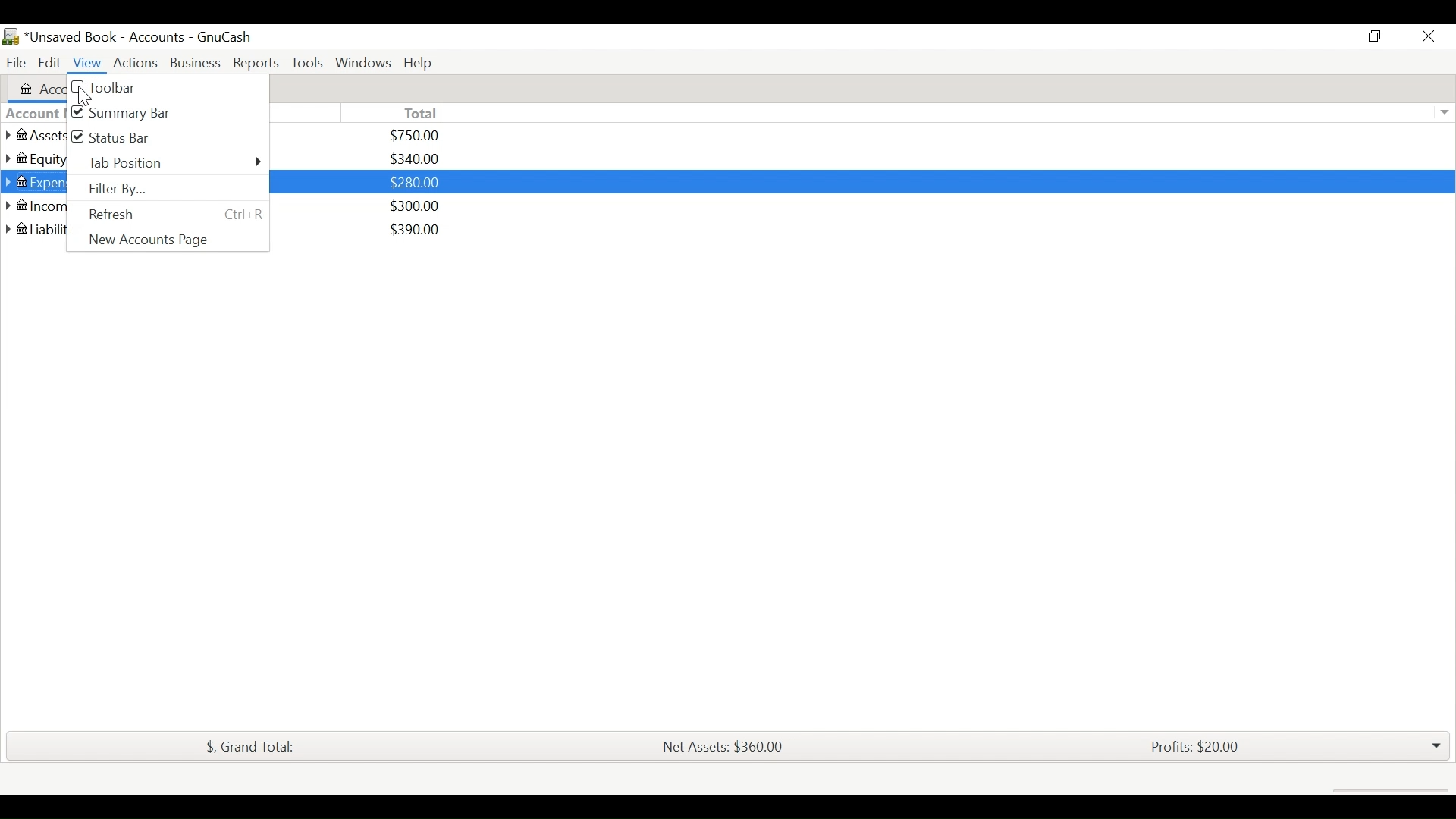 The height and width of the screenshot is (819, 1456). What do you see at coordinates (1422, 39) in the screenshot?
I see `Close` at bounding box center [1422, 39].